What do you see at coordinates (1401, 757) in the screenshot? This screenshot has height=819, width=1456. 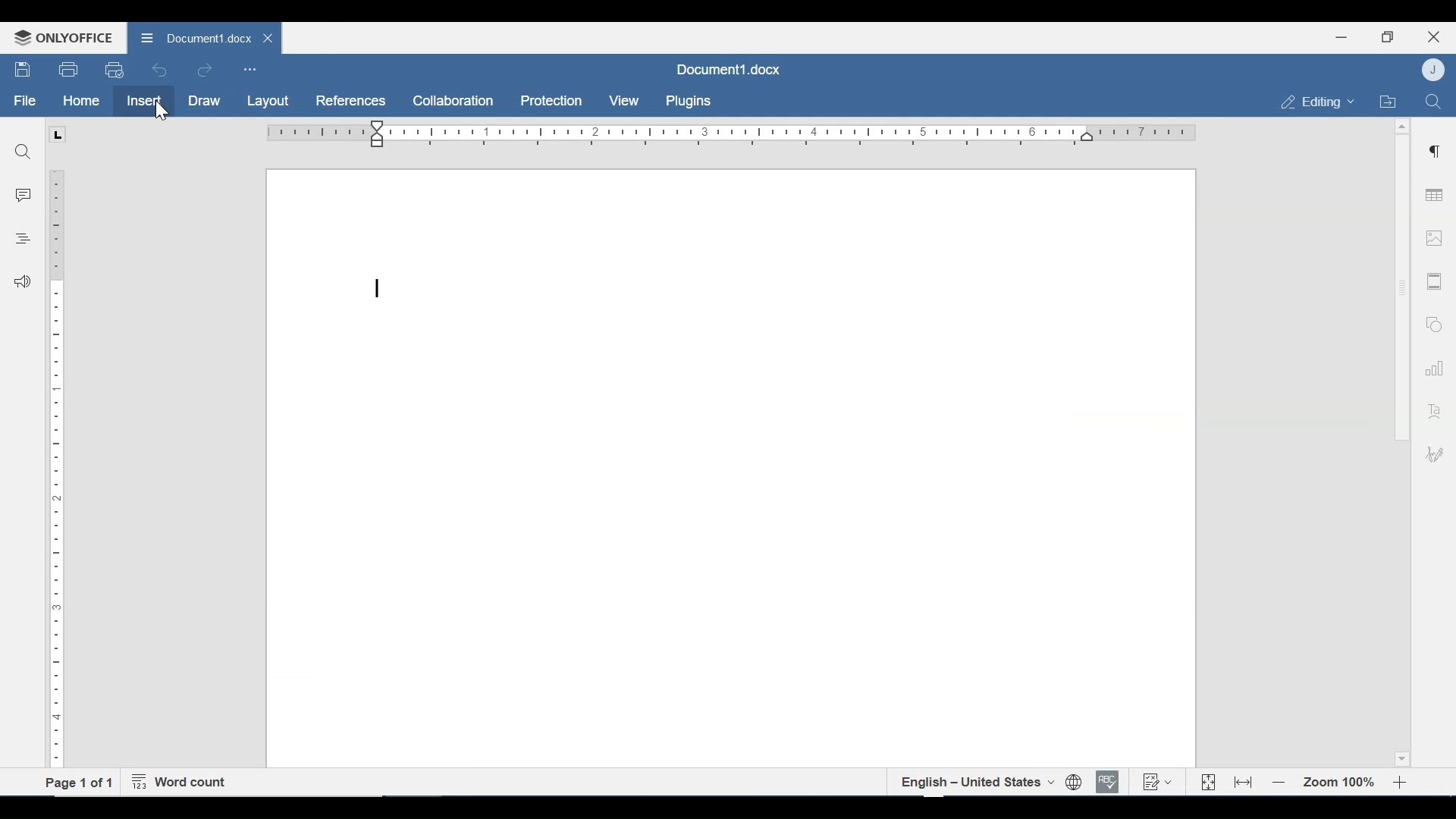 I see `Scroll down` at bounding box center [1401, 757].